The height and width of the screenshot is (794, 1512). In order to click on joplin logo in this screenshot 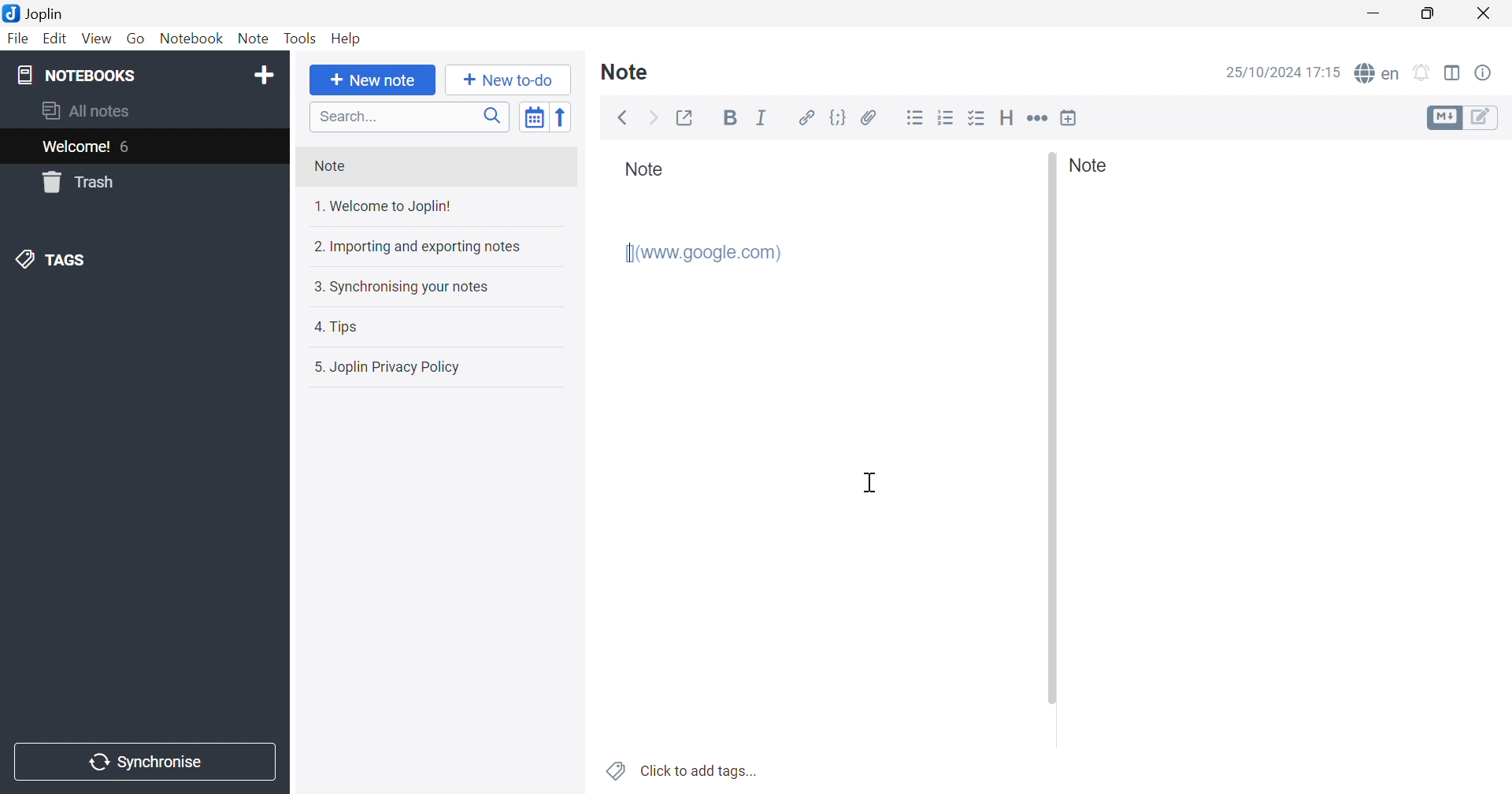, I will do `click(10, 12)`.